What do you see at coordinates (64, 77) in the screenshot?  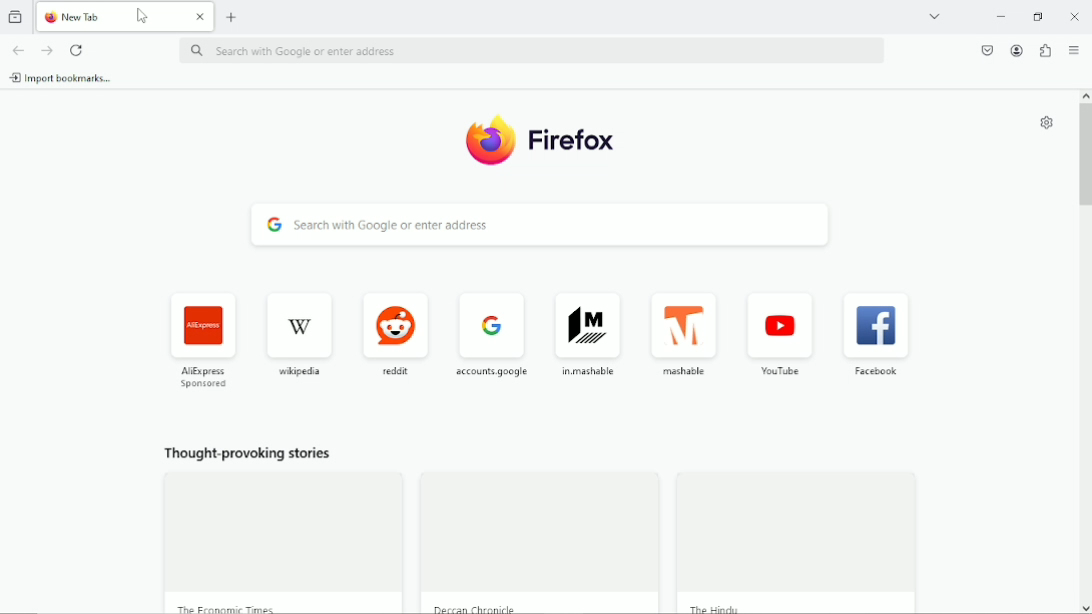 I see `import bookmarks` at bounding box center [64, 77].